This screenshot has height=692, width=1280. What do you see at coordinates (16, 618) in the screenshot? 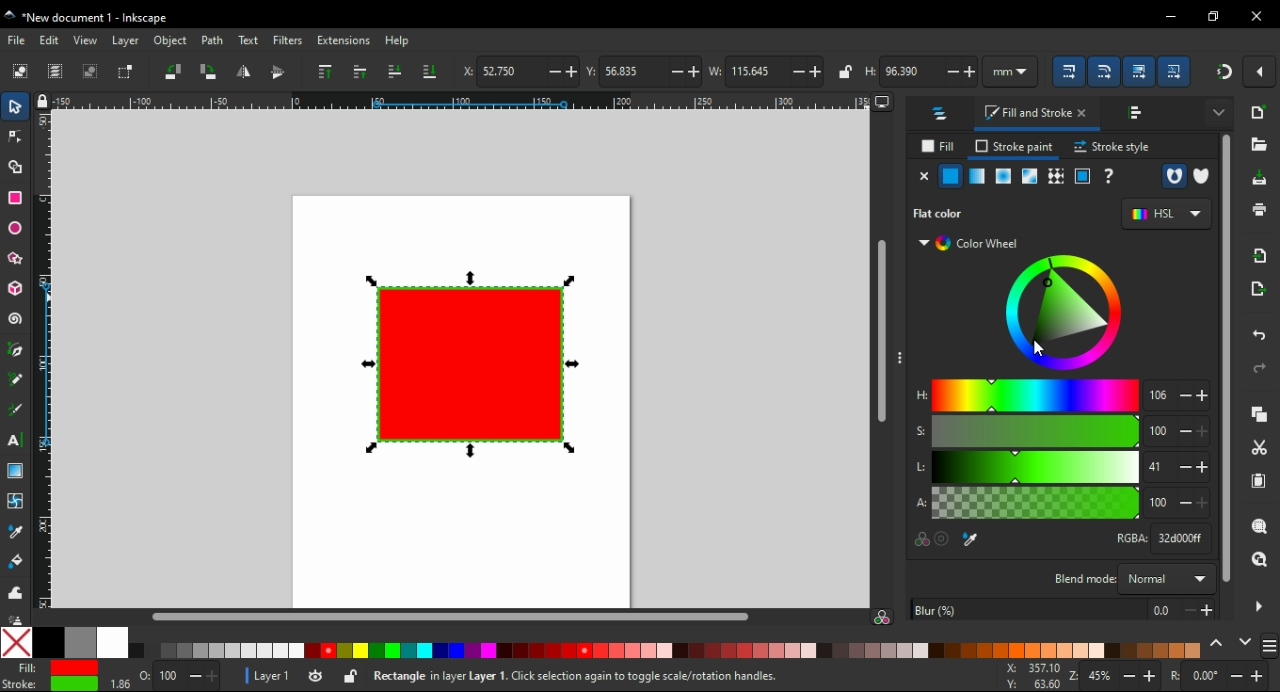
I see `paint spray` at bounding box center [16, 618].